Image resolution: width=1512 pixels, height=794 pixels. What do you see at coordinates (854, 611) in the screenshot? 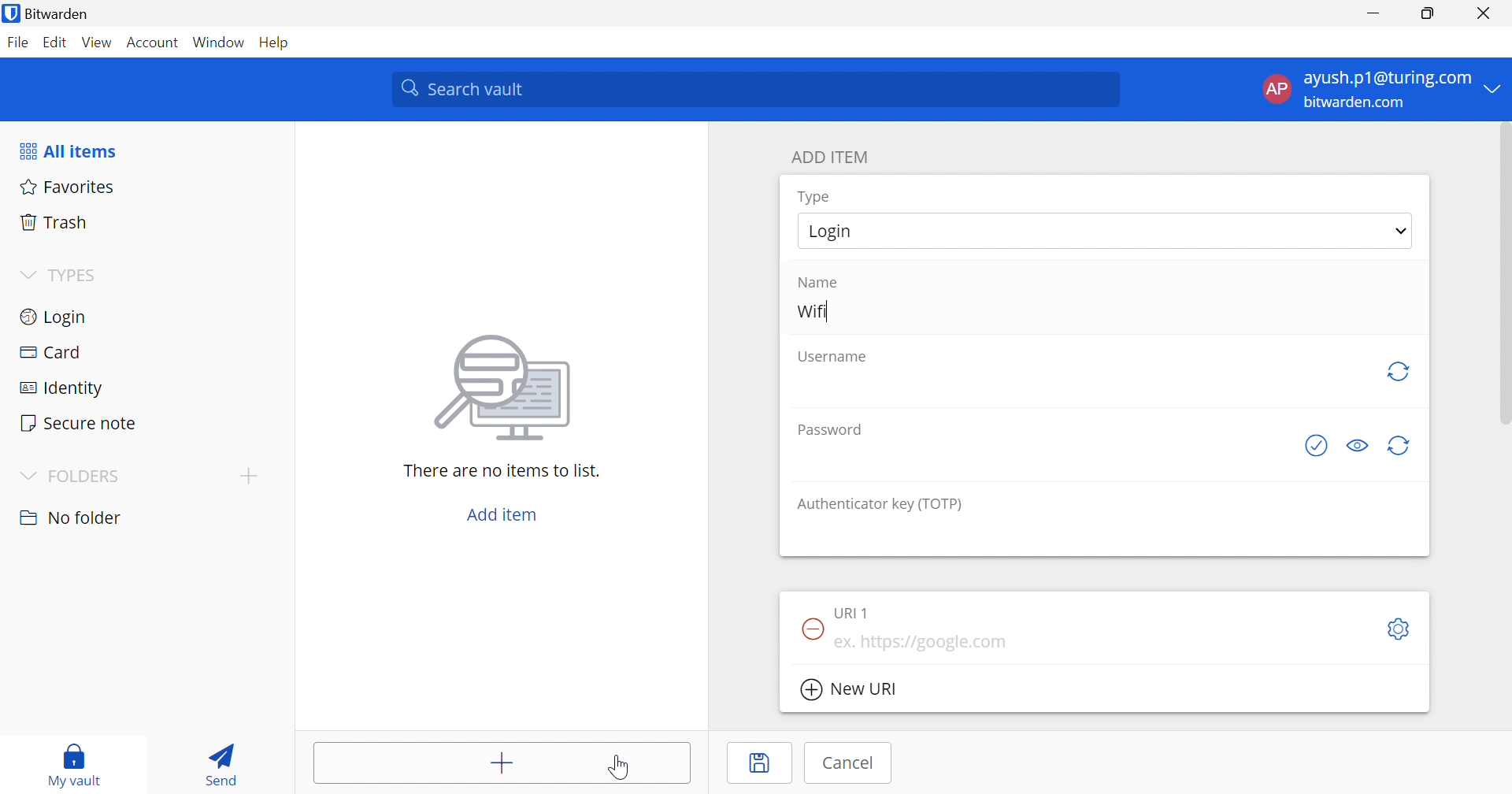
I see `URI 1` at bounding box center [854, 611].